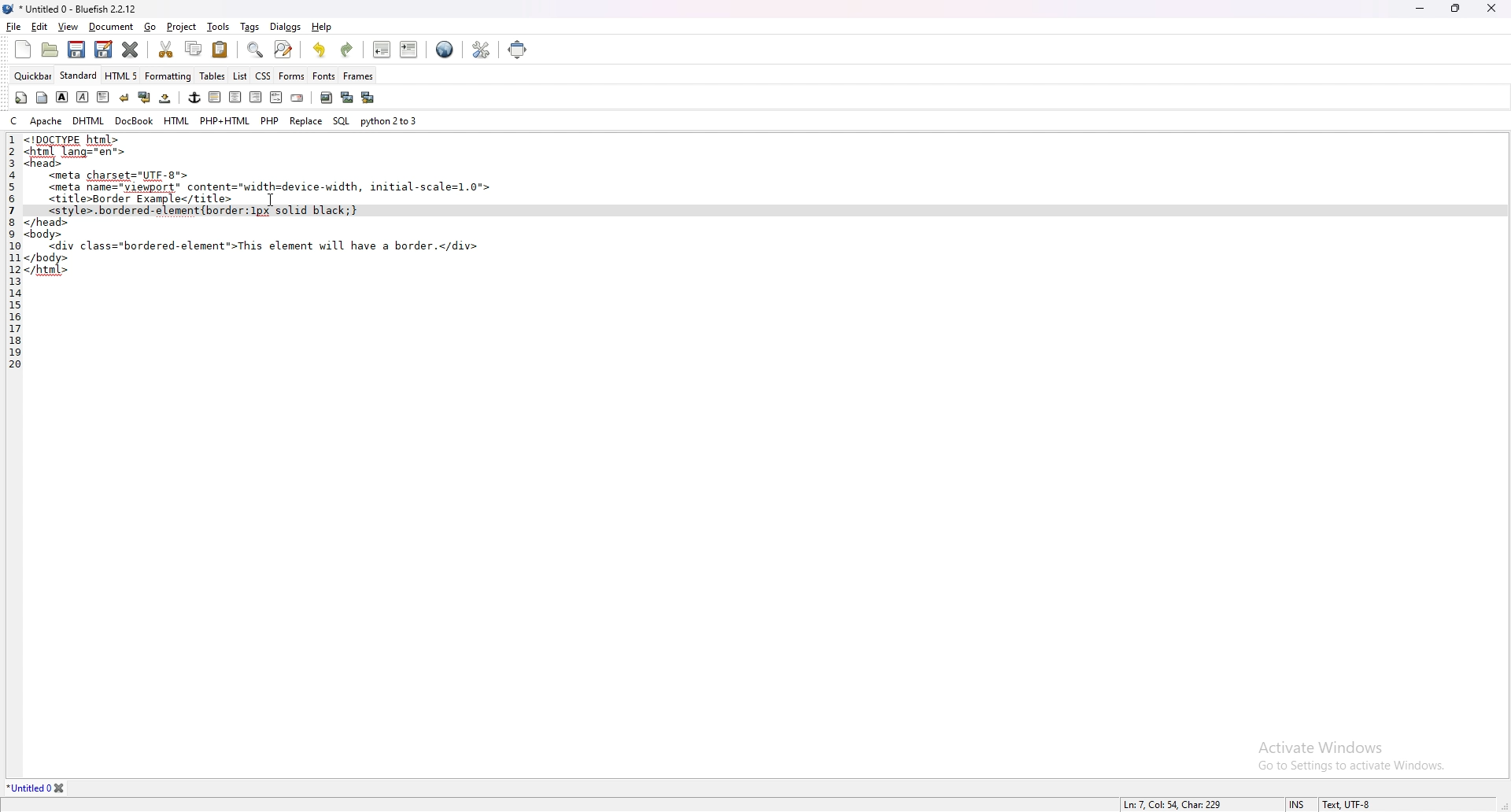 This screenshot has width=1511, height=812. What do you see at coordinates (347, 98) in the screenshot?
I see `insert thumbnail` at bounding box center [347, 98].